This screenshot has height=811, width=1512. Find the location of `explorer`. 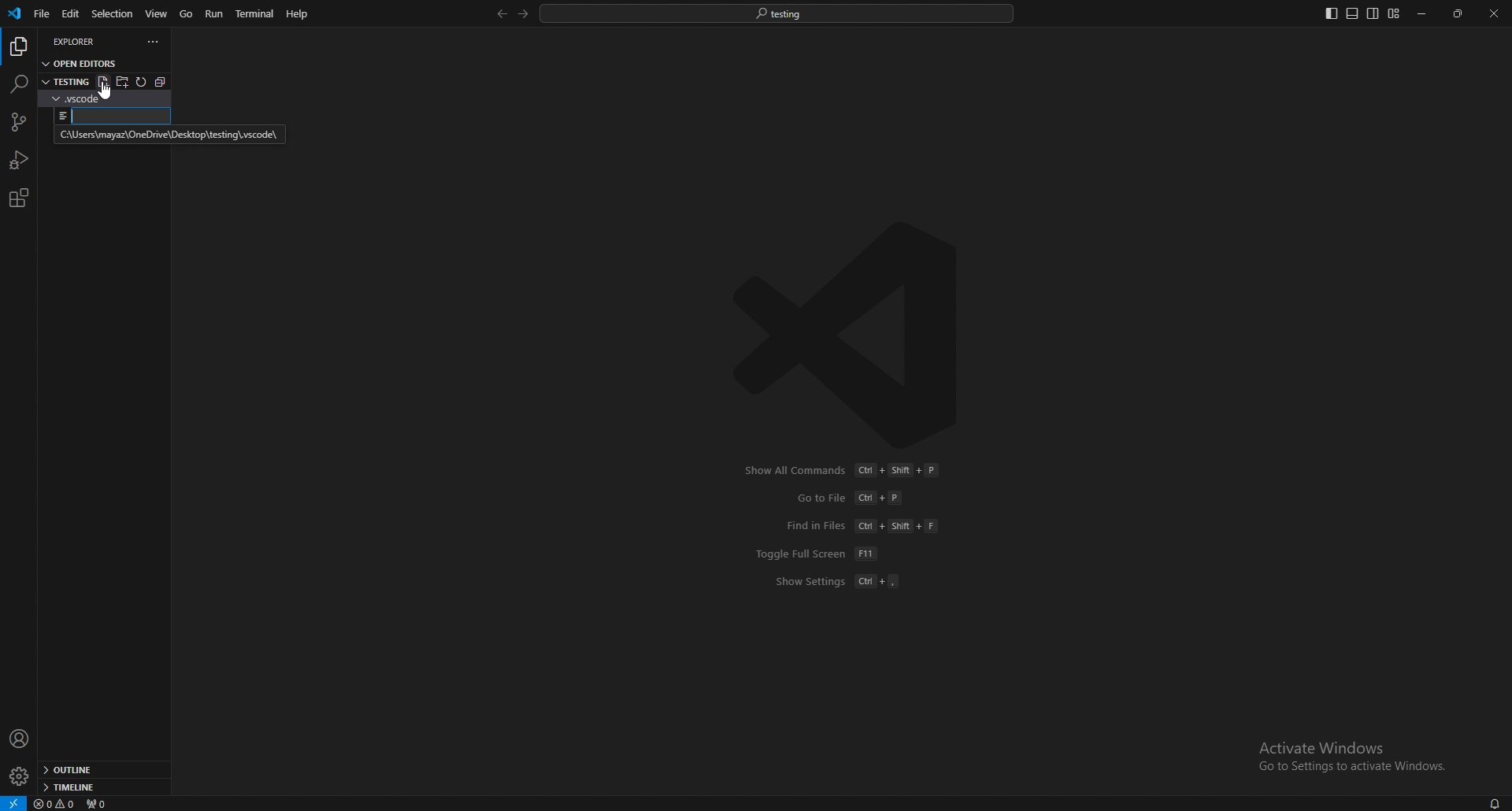

explorer is located at coordinates (83, 41).